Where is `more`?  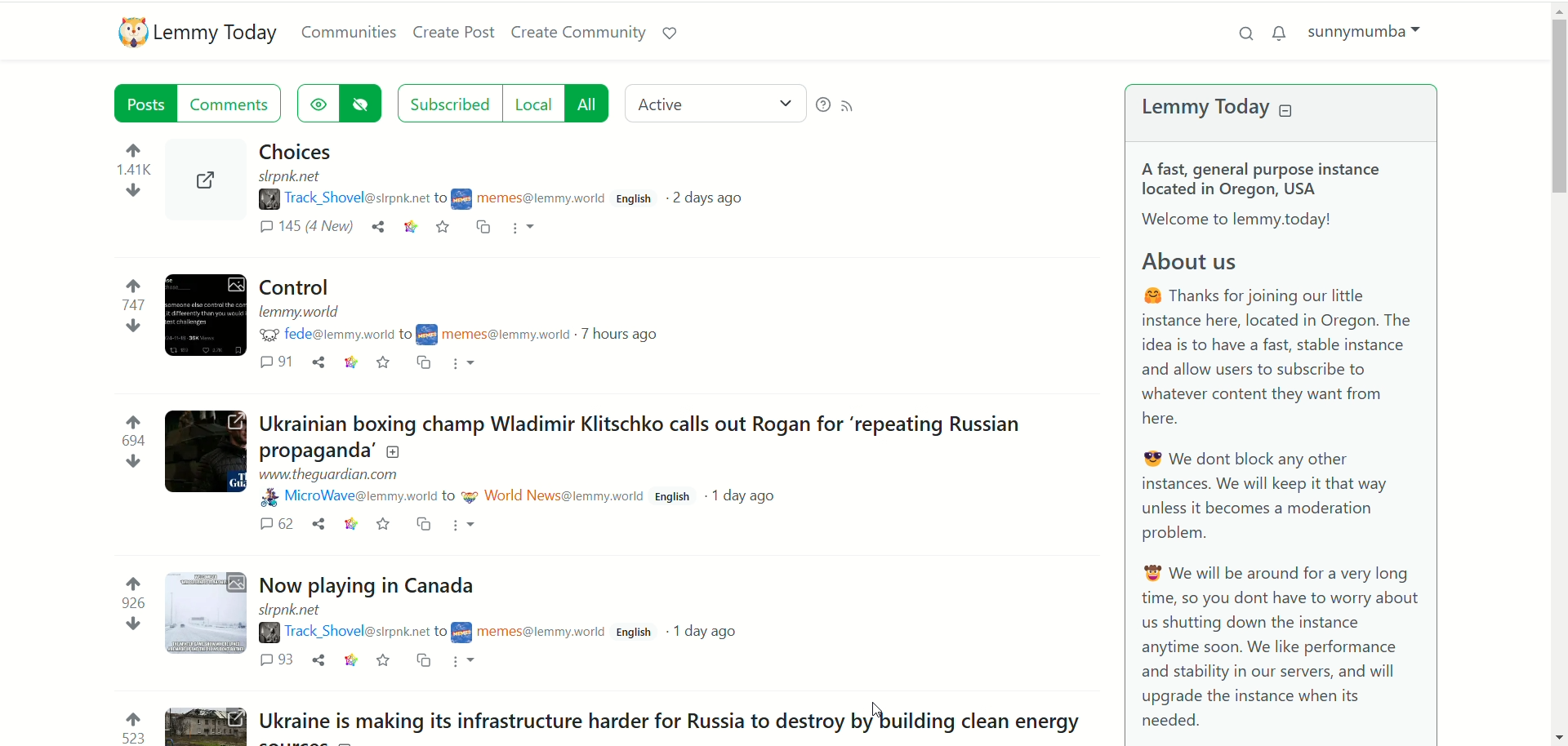 more is located at coordinates (462, 662).